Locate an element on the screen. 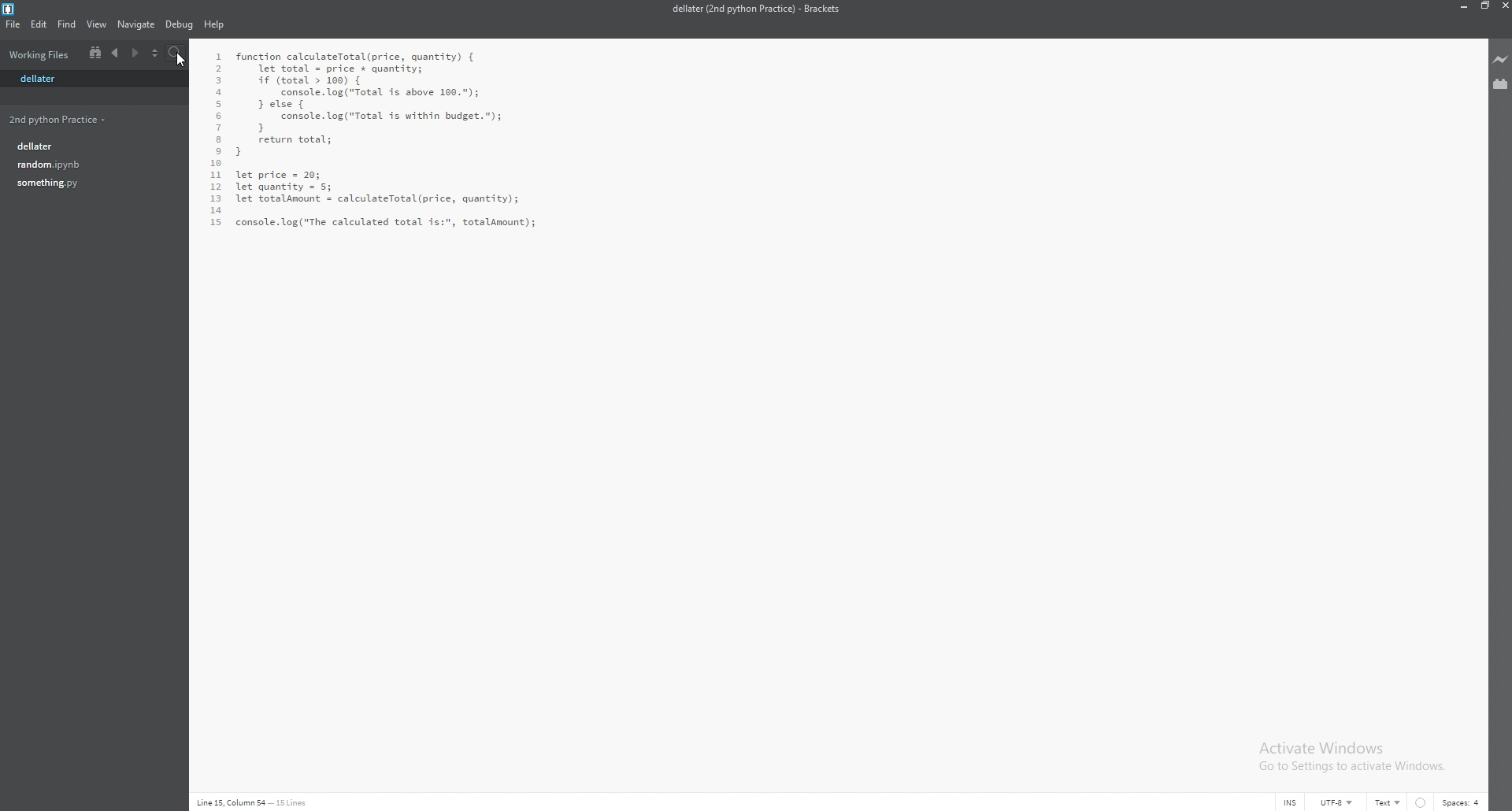  11 is located at coordinates (217, 174).